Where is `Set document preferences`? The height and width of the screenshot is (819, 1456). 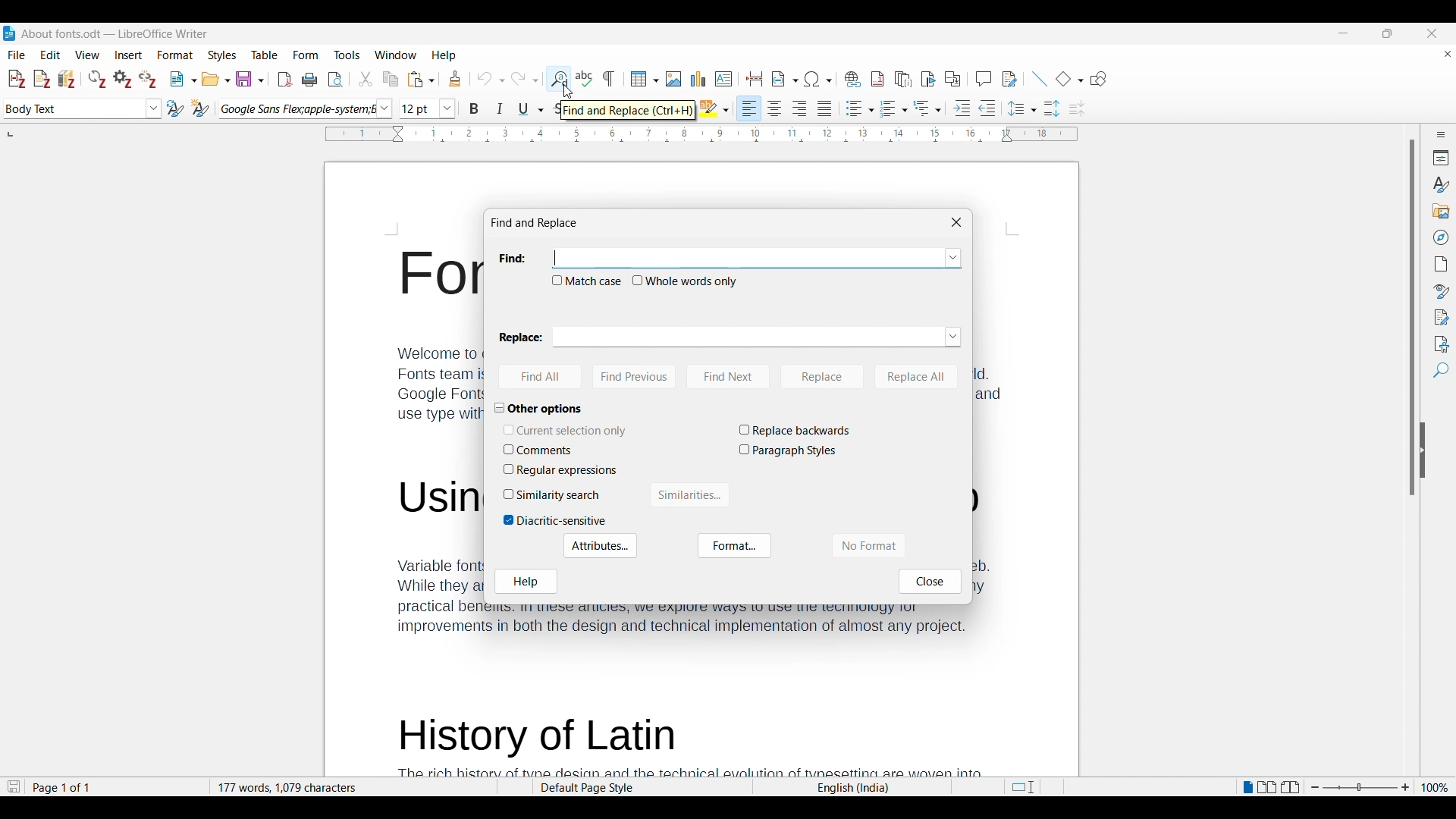 Set document preferences is located at coordinates (124, 78).